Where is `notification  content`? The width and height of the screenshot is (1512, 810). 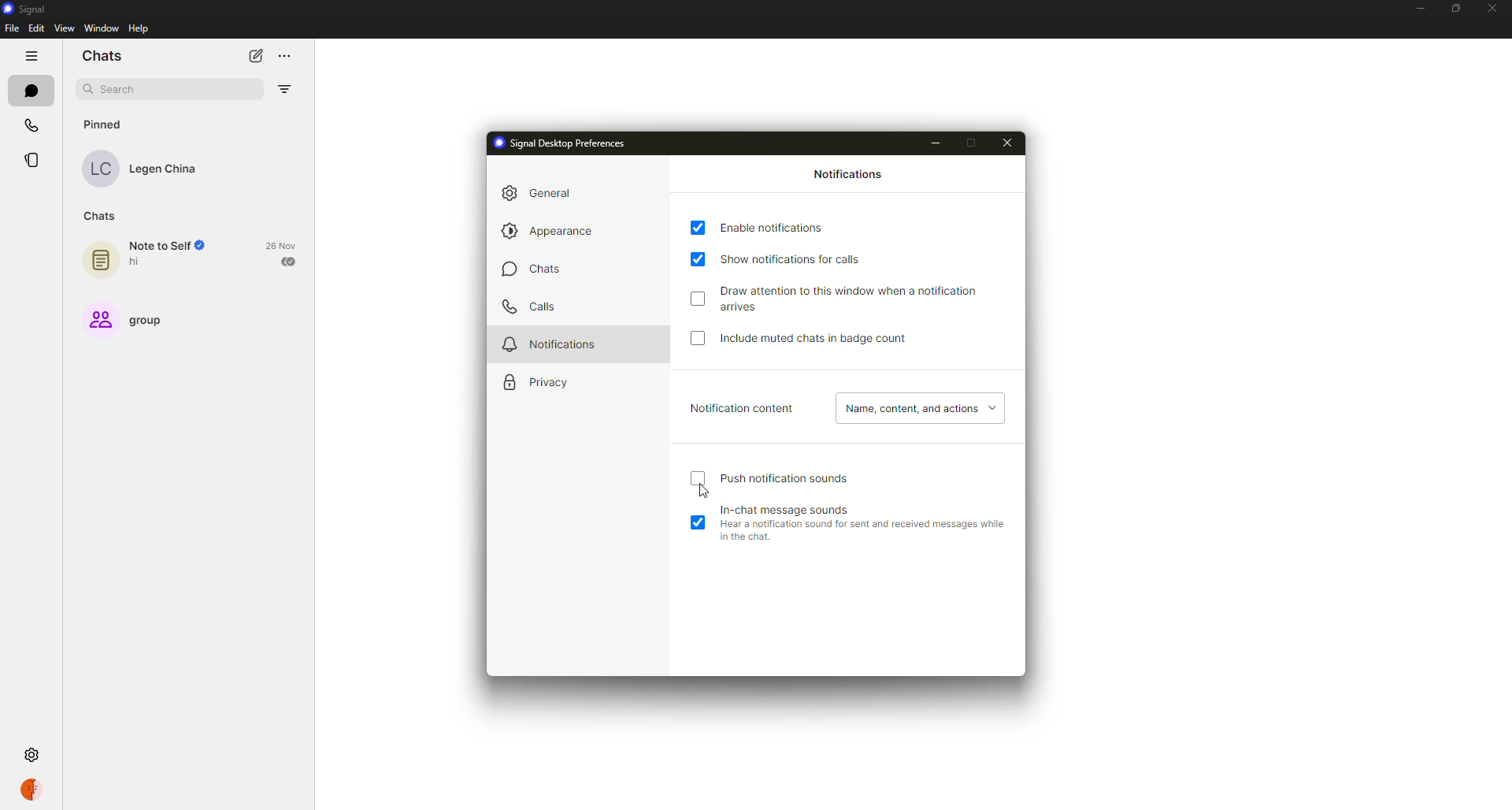 notification  content is located at coordinates (739, 408).